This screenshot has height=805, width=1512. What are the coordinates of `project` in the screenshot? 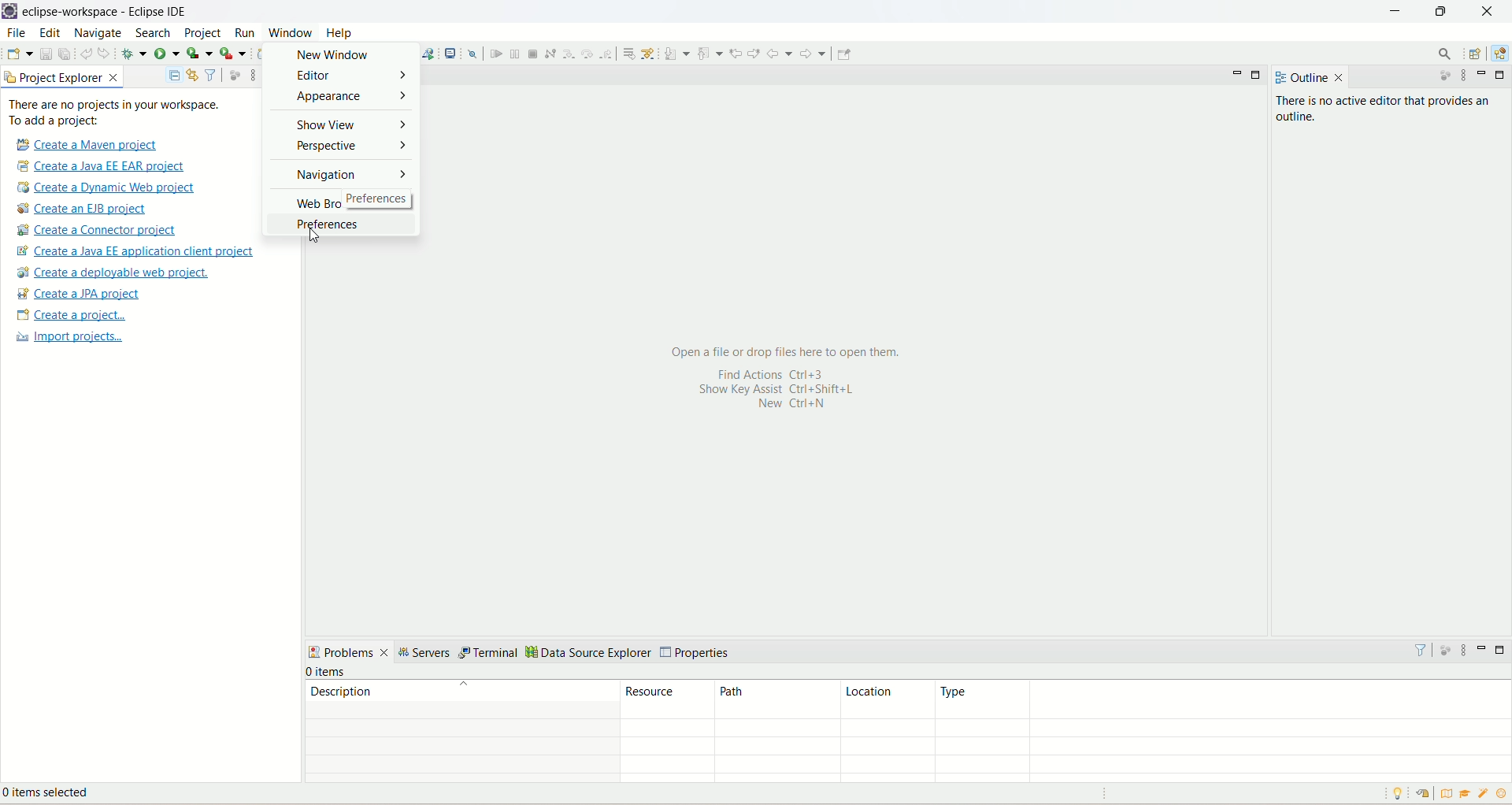 It's located at (203, 35).